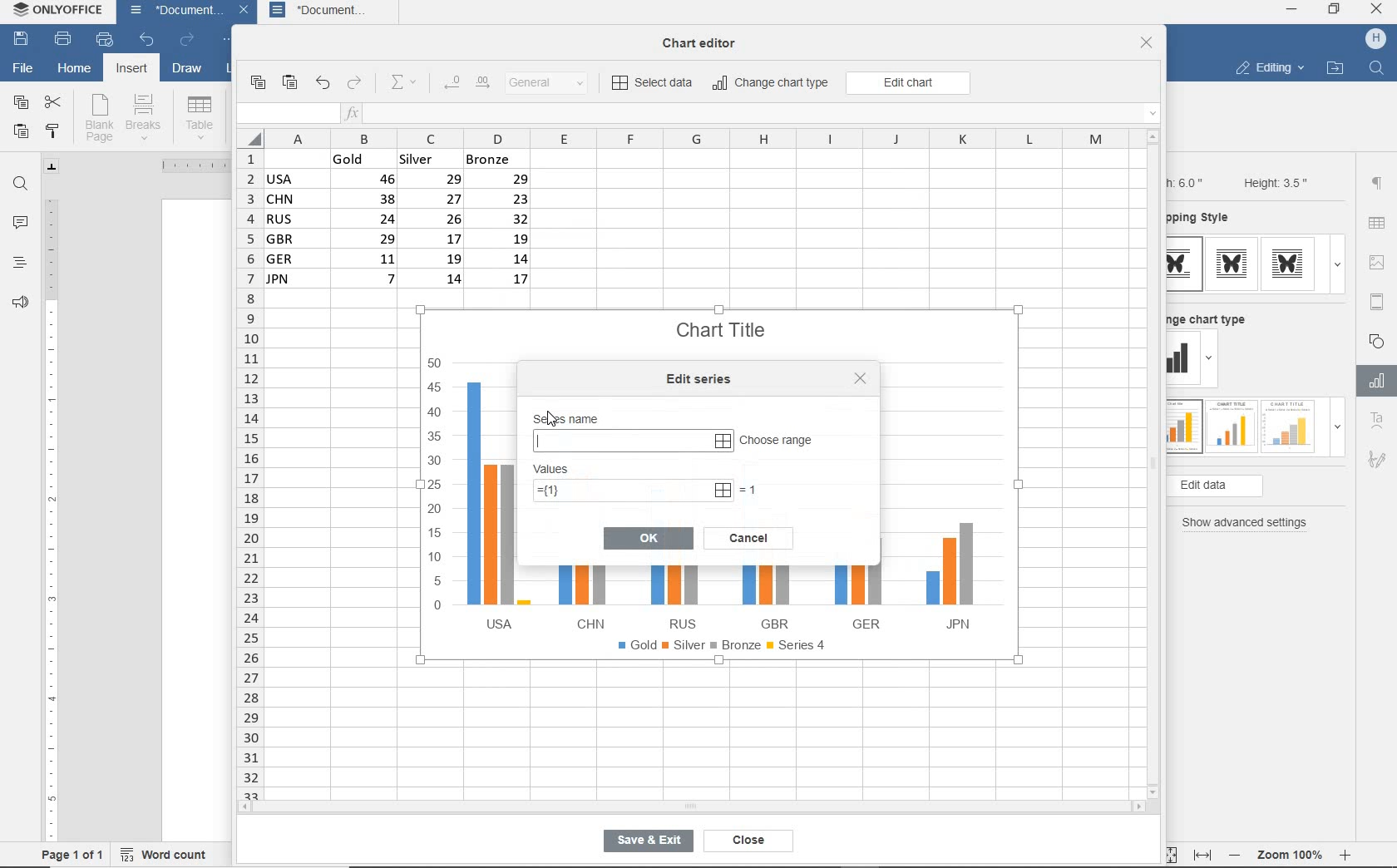 The width and height of the screenshot is (1397, 868). I want to click on USA, so click(496, 504).